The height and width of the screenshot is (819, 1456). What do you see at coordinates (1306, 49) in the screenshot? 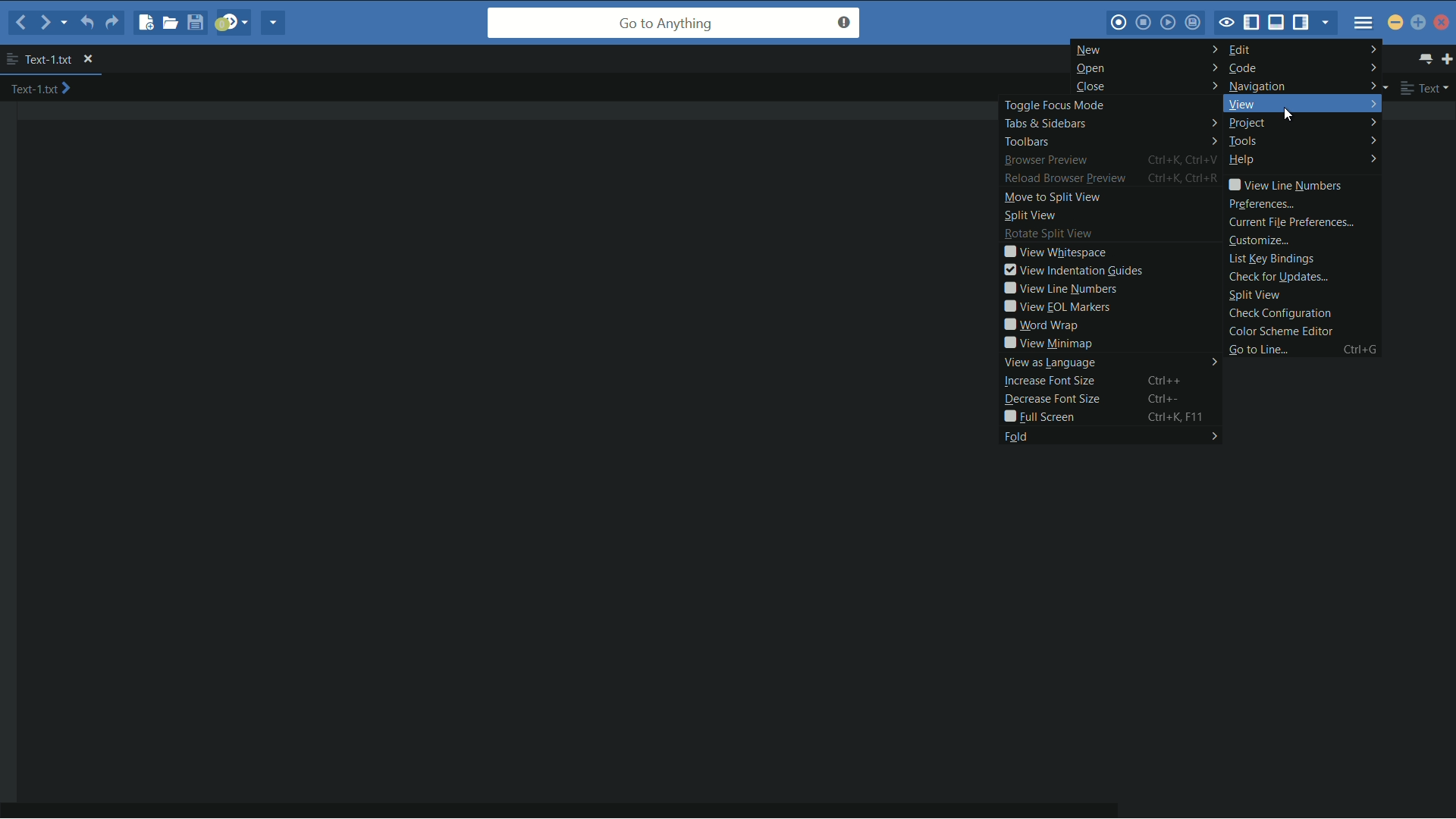
I see `edit` at bounding box center [1306, 49].